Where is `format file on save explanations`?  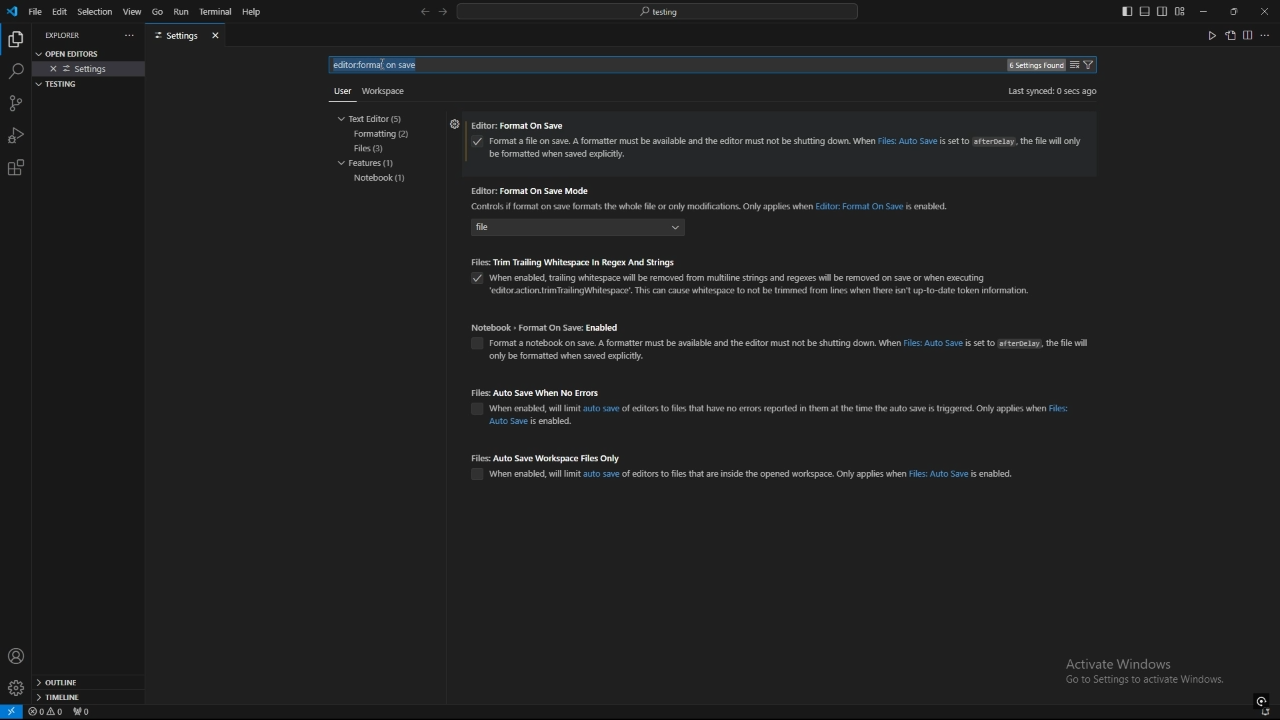
format file on save explanations is located at coordinates (787, 149).